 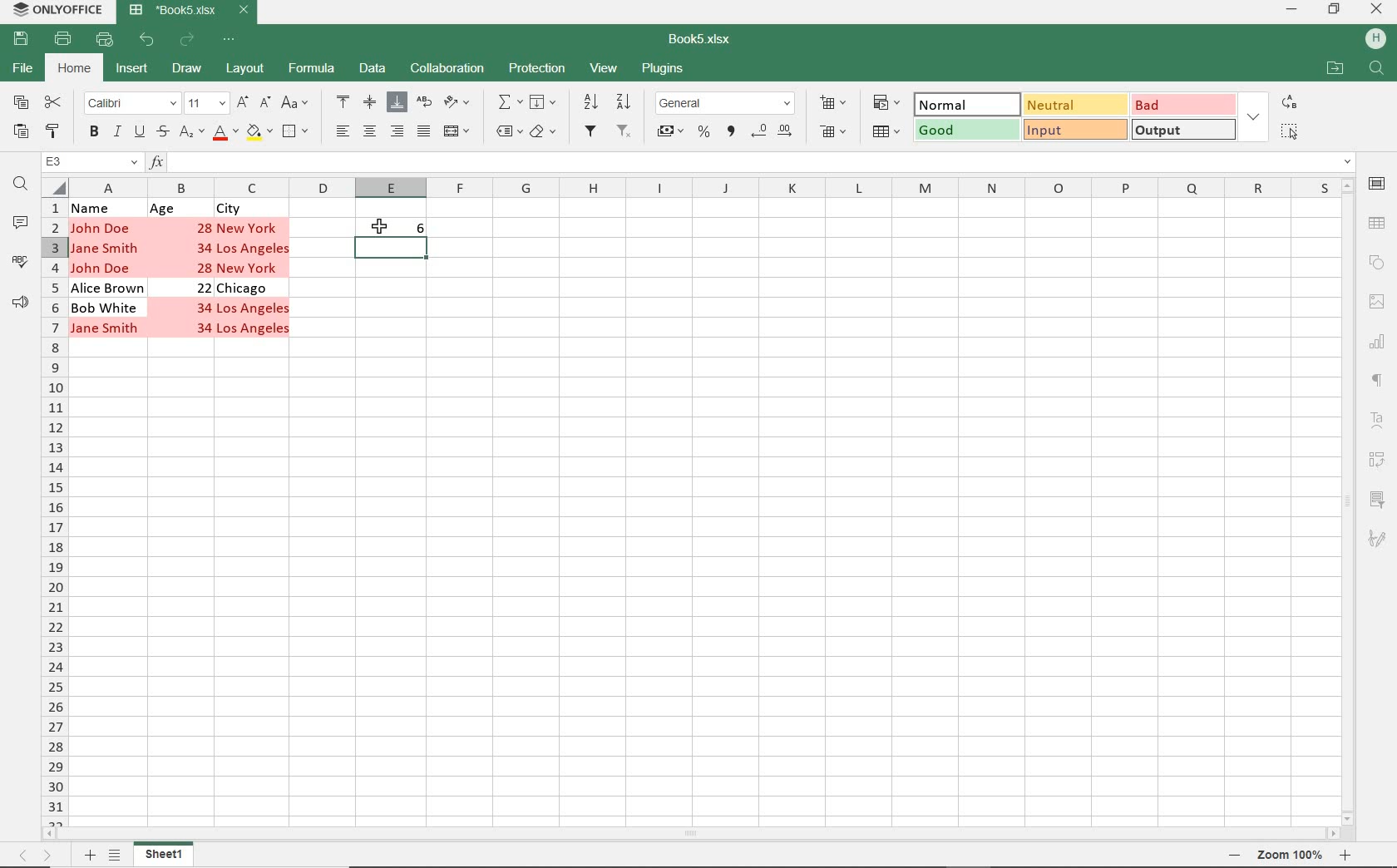 What do you see at coordinates (165, 856) in the screenshot?
I see `SHEET1` at bounding box center [165, 856].